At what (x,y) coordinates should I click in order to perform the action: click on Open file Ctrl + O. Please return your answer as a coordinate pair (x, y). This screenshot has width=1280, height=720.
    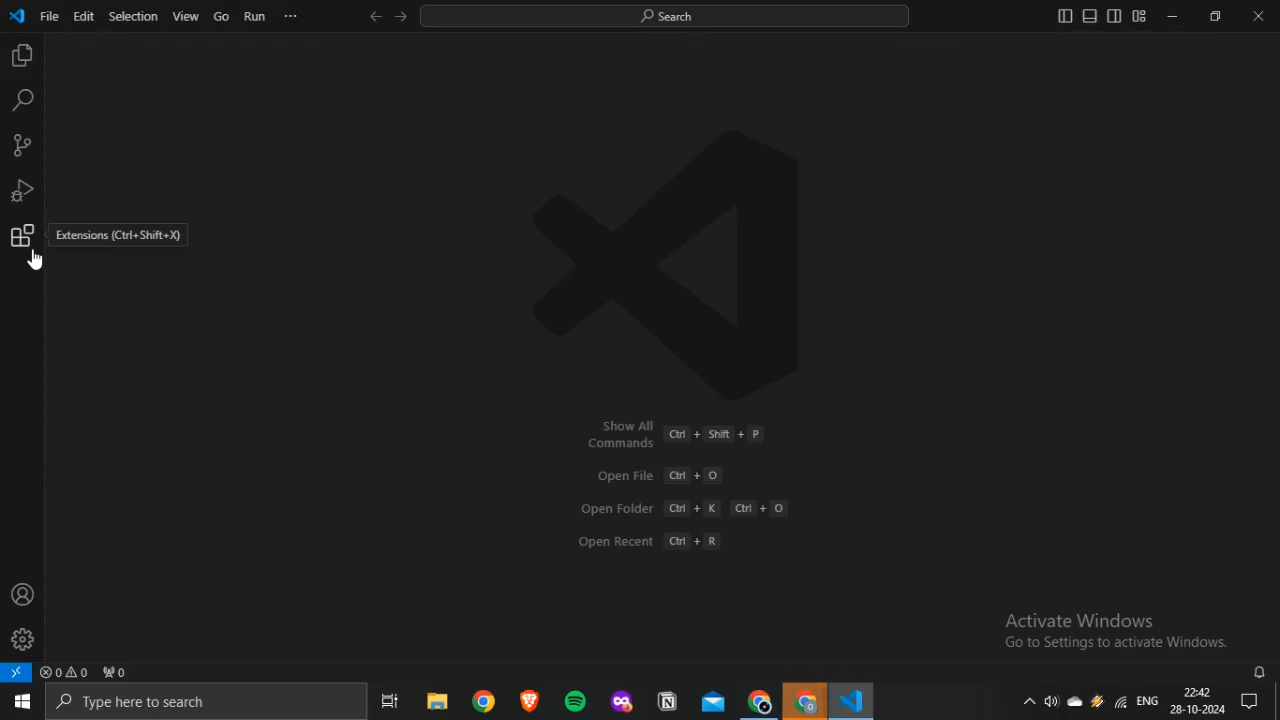
    Looking at the image, I should click on (659, 476).